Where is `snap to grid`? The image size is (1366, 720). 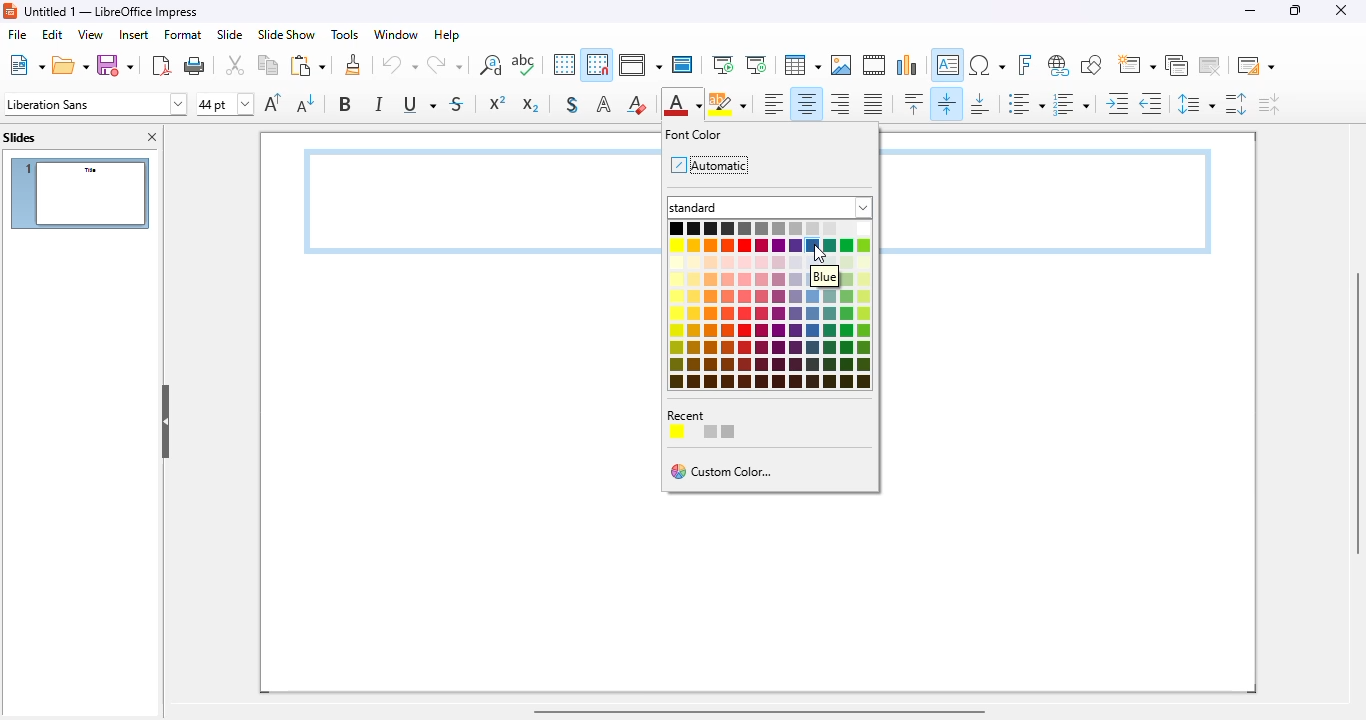
snap to grid is located at coordinates (597, 64).